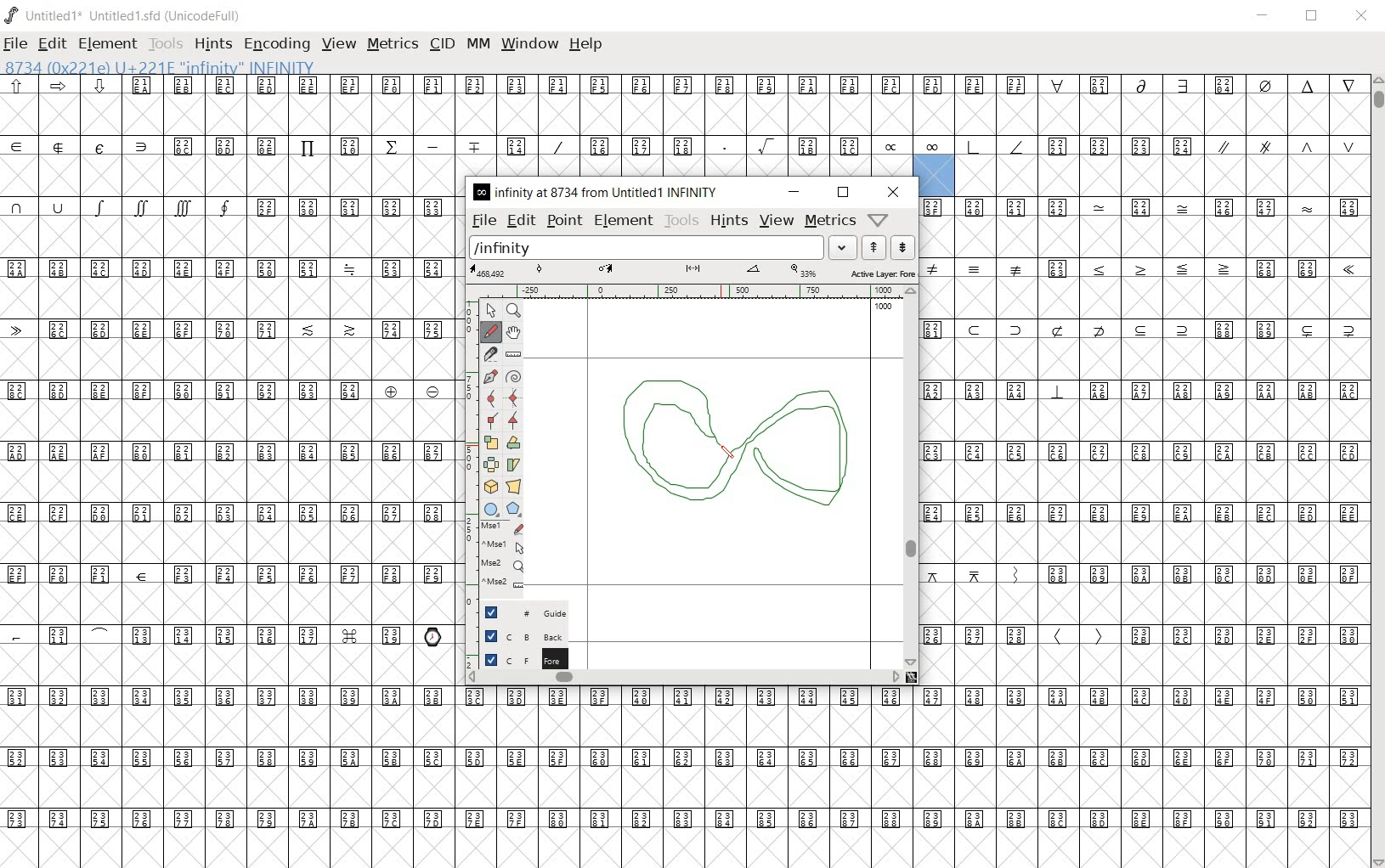 The image size is (1385, 868). Describe the element at coordinates (684, 696) in the screenshot. I see `Unicode code points` at that location.